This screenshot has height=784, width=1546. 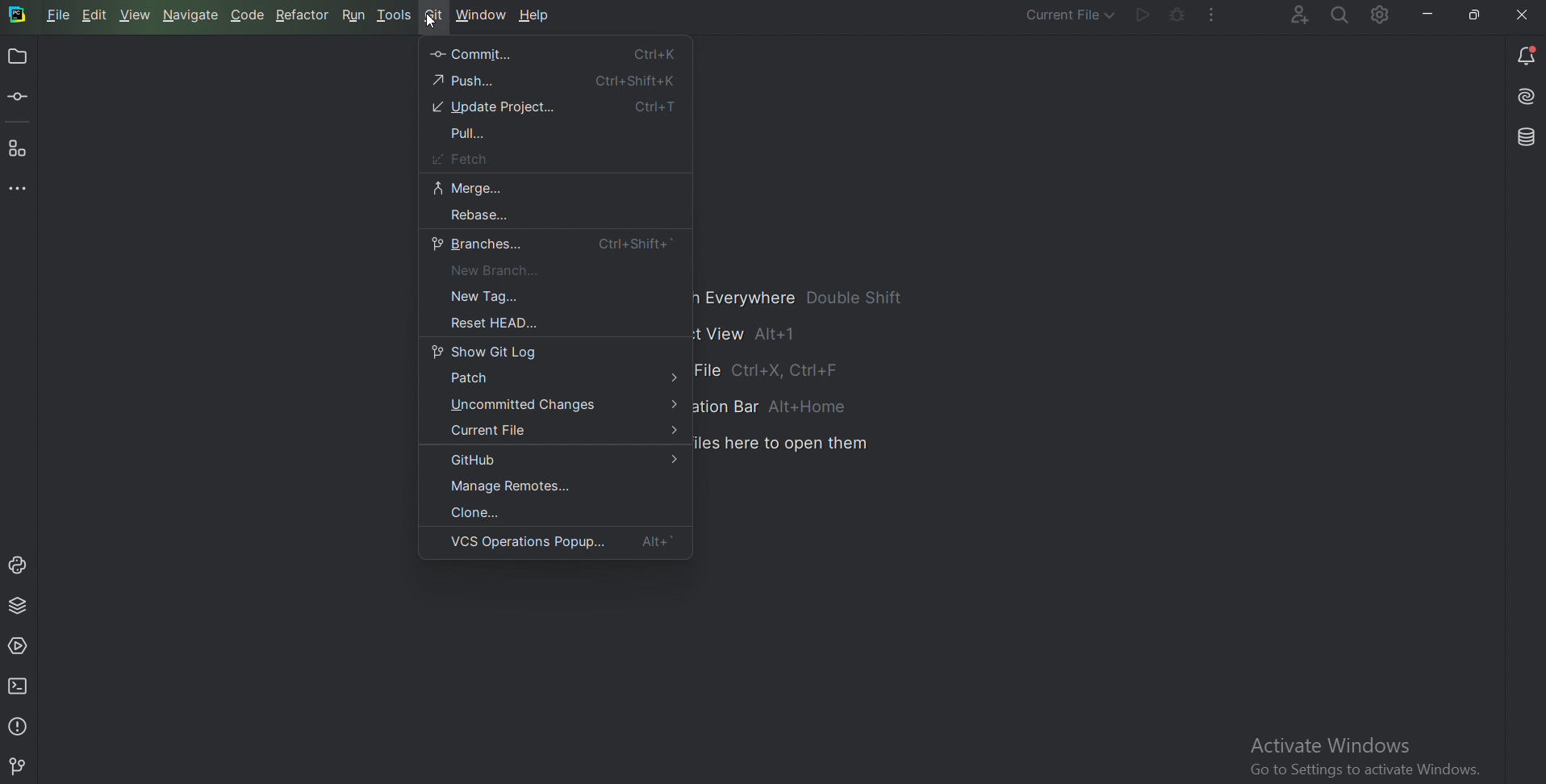 I want to click on Cross, so click(x=1519, y=15).